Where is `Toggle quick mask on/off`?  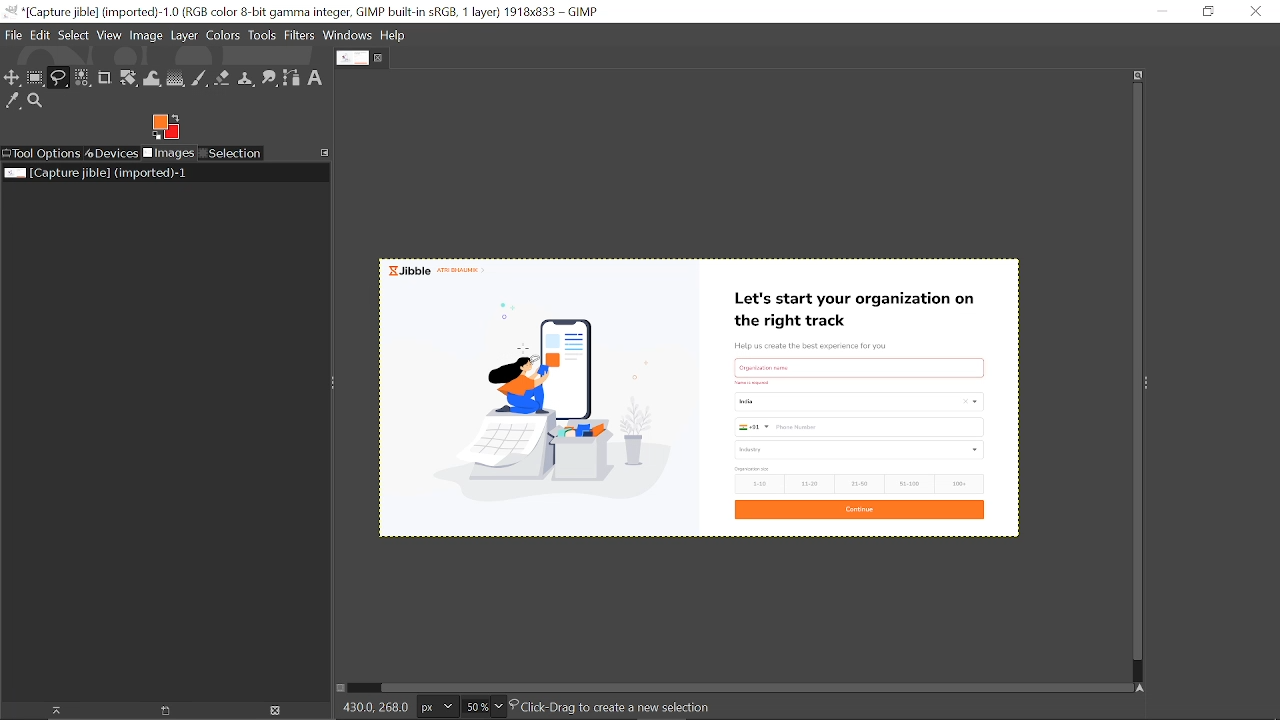
Toggle quick mask on/off is located at coordinates (339, 688).